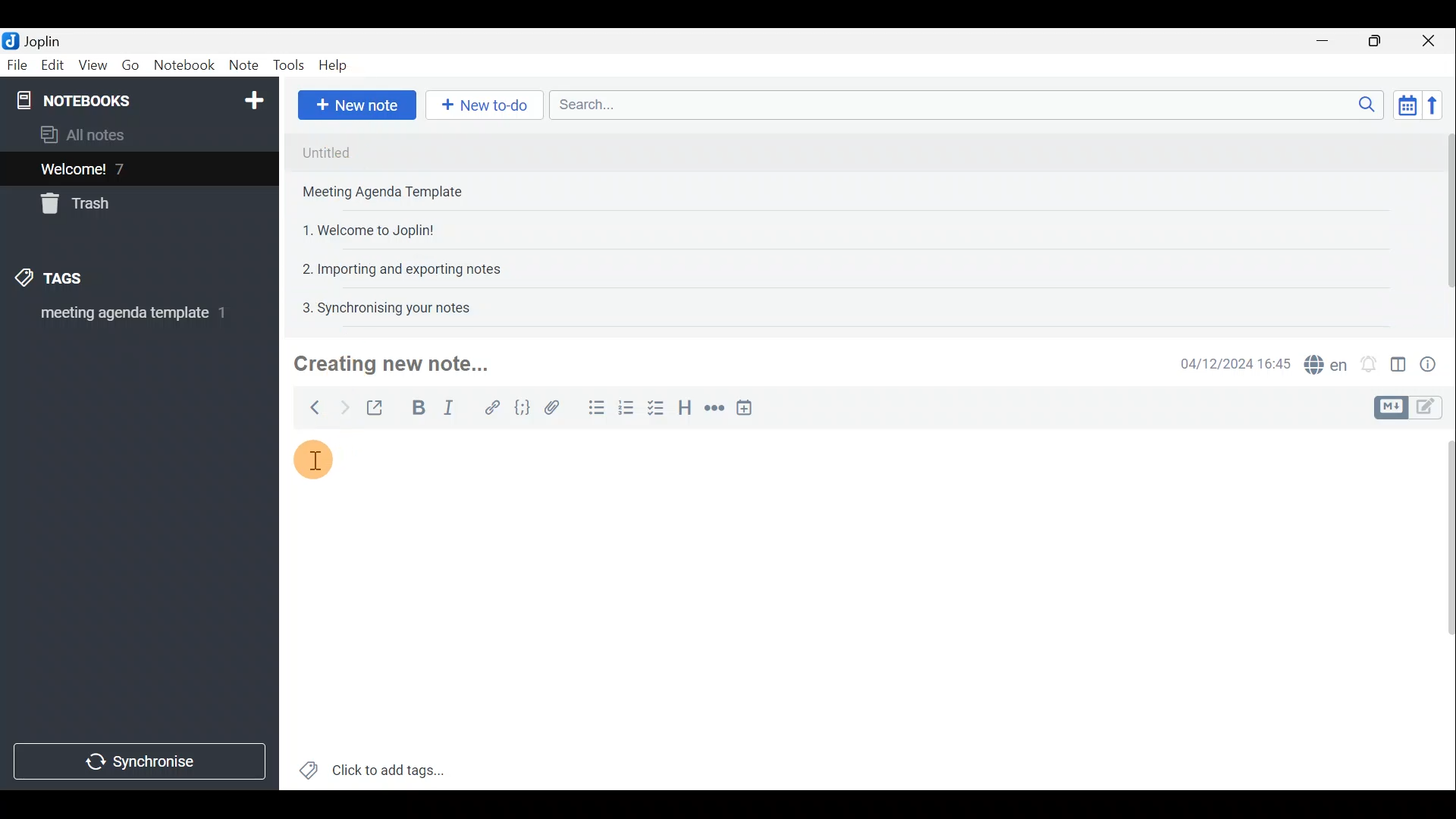 The width and height of the screenshot is (1456, 819). What do you see at coordinates (243, 66) in the screenshot?
I see `Note` at bounding box center [243, 66].